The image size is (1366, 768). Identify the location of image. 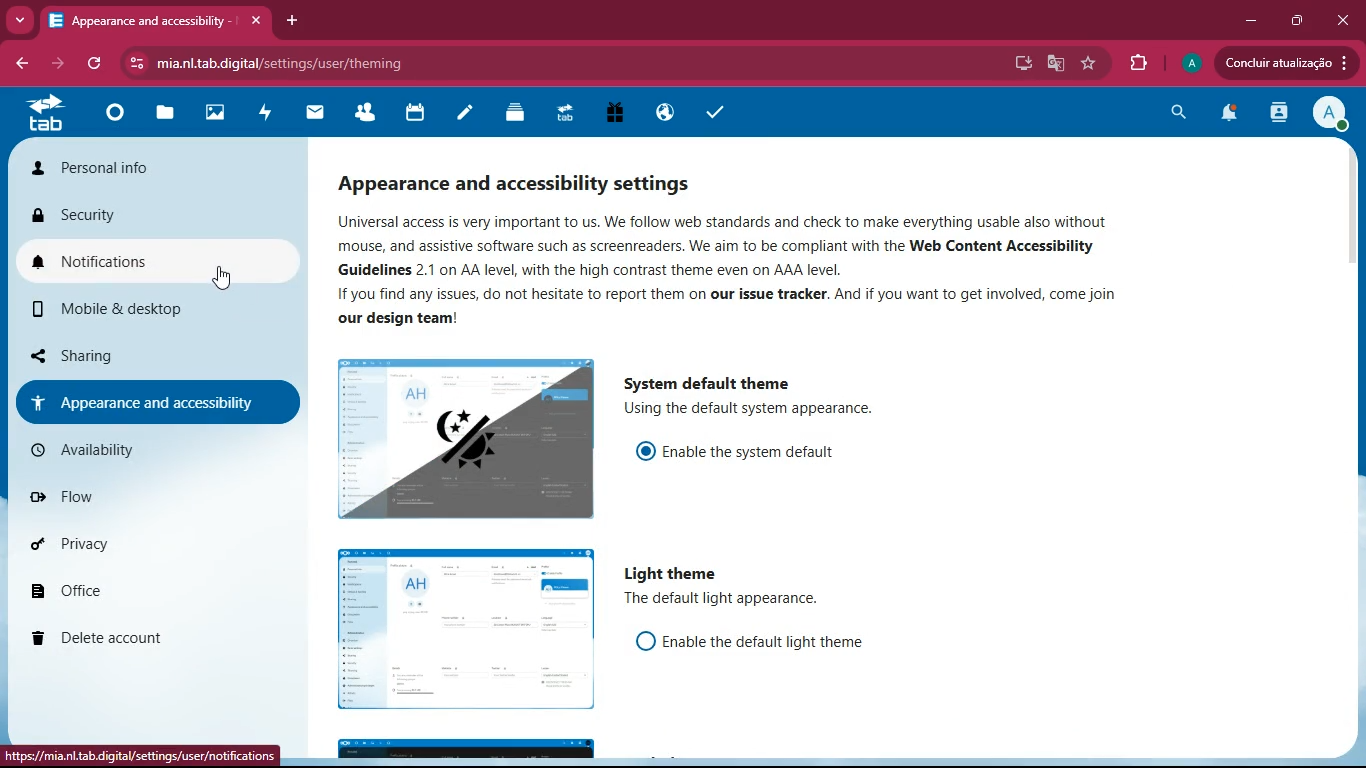
(470, 444).